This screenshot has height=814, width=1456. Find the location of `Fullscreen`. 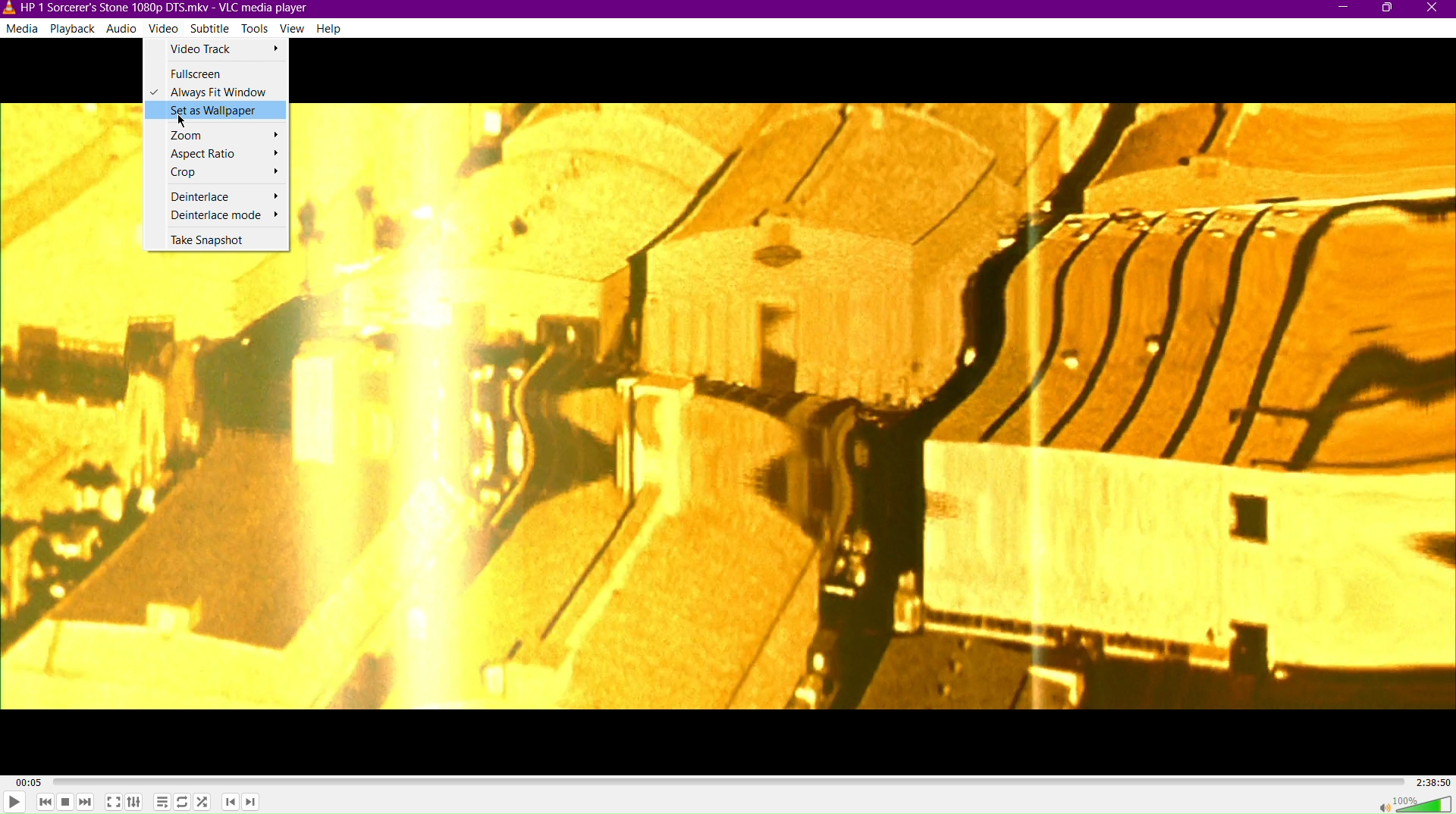

Fullscreen is located at coordinates (212, 73).